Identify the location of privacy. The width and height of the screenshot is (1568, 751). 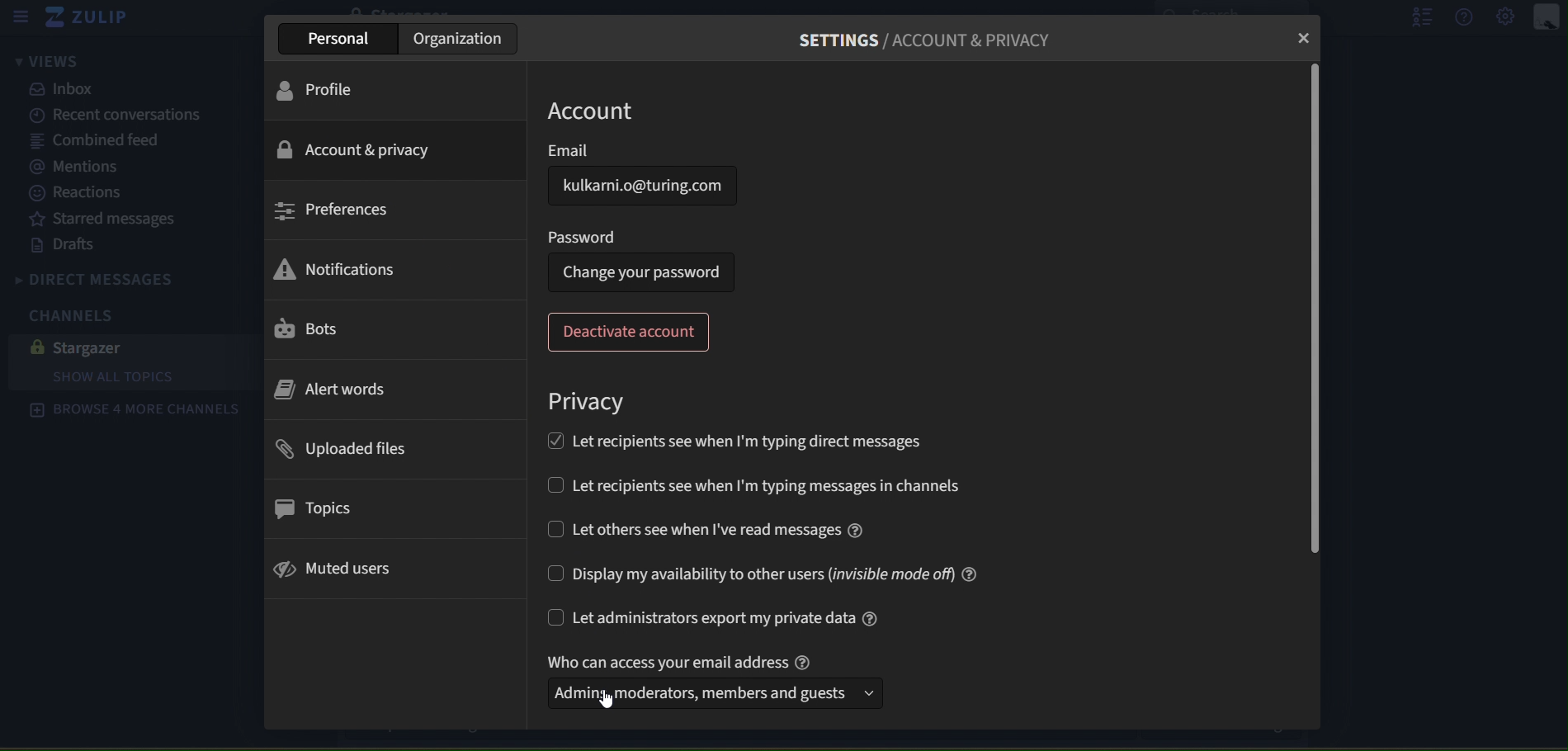
(588, 402).